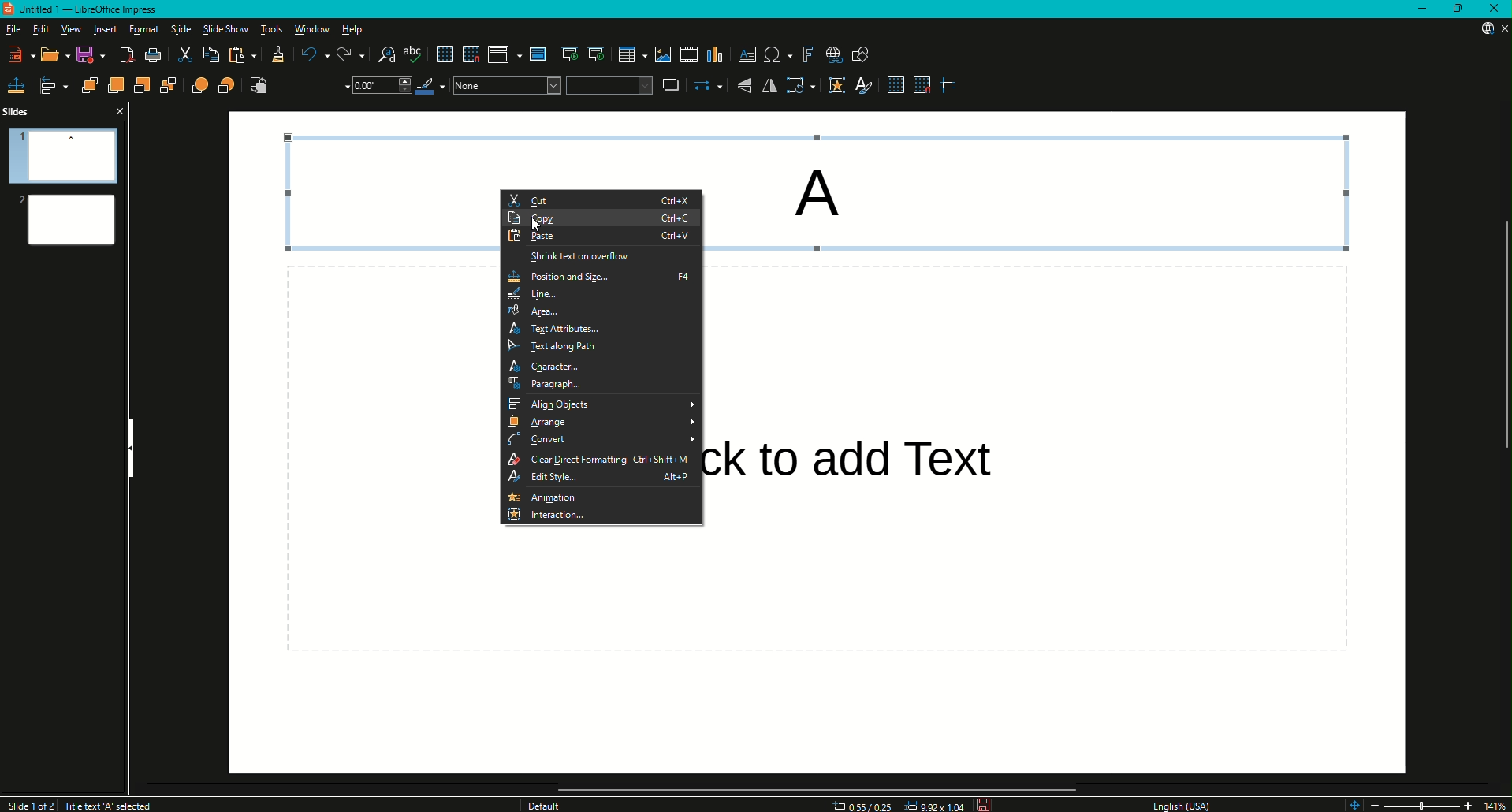 The image size is (1512, 812). Describe the element at coordinates (601, 385) in the screenshot. I see `Paragraph` at that location.